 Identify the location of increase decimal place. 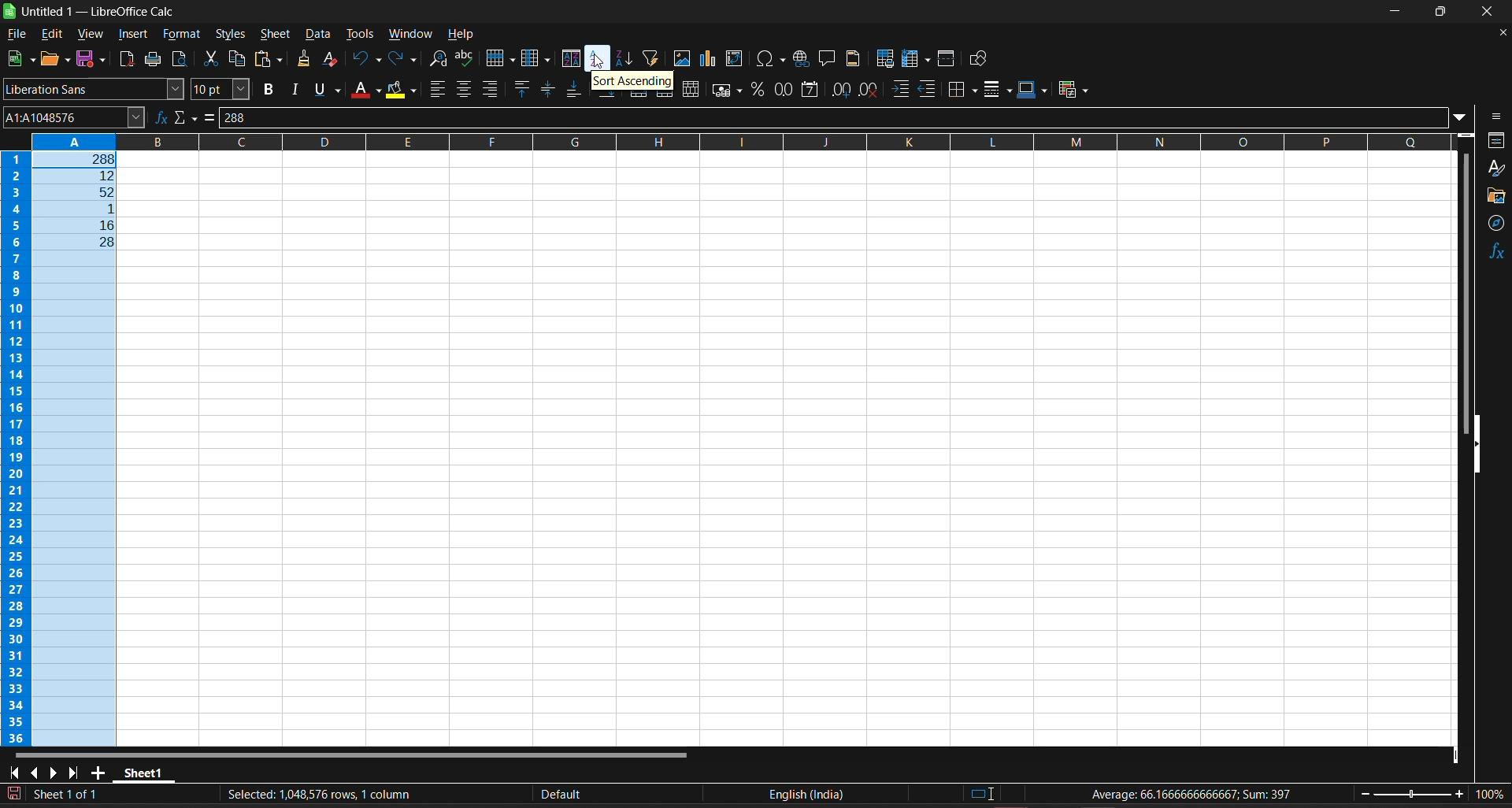
(839, 90).